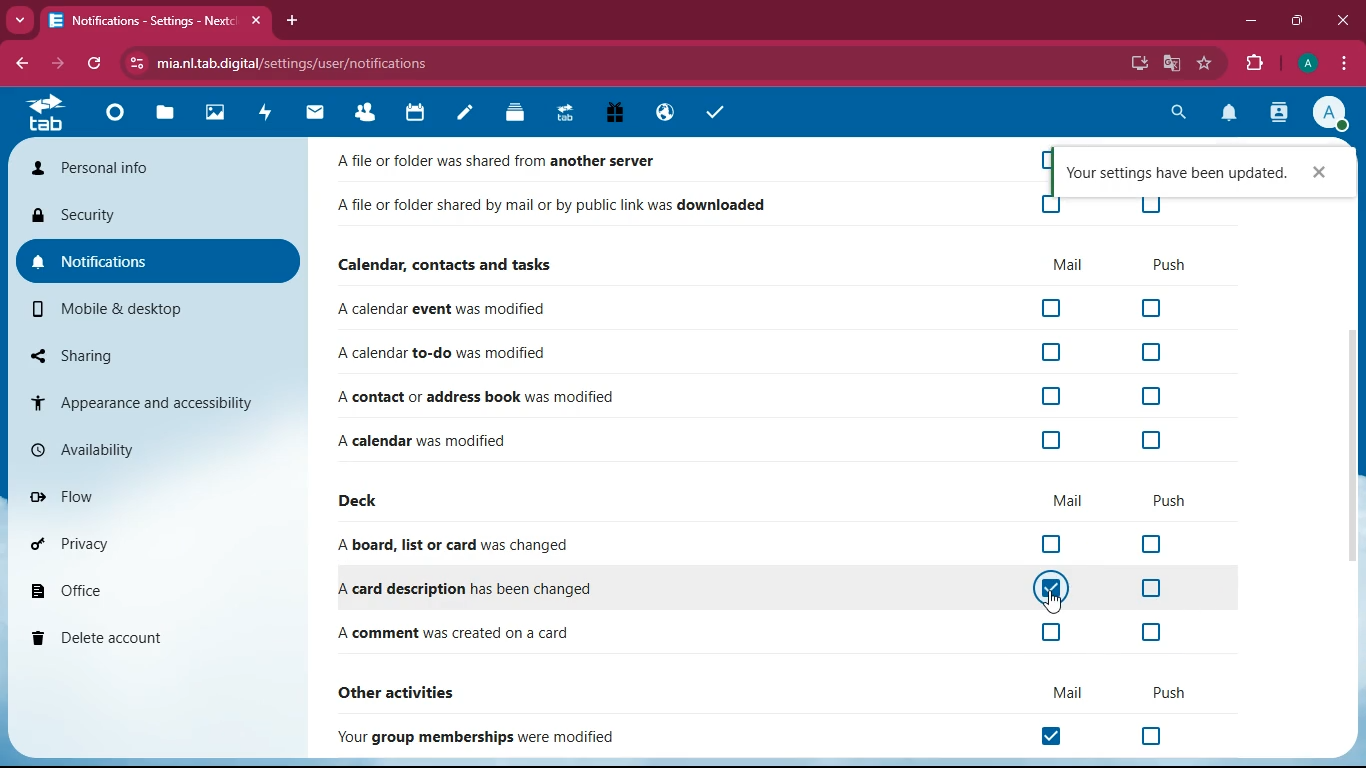 The width and height of the screenshot is (1366, 768). I want to click on Account, so click(1305, 61).